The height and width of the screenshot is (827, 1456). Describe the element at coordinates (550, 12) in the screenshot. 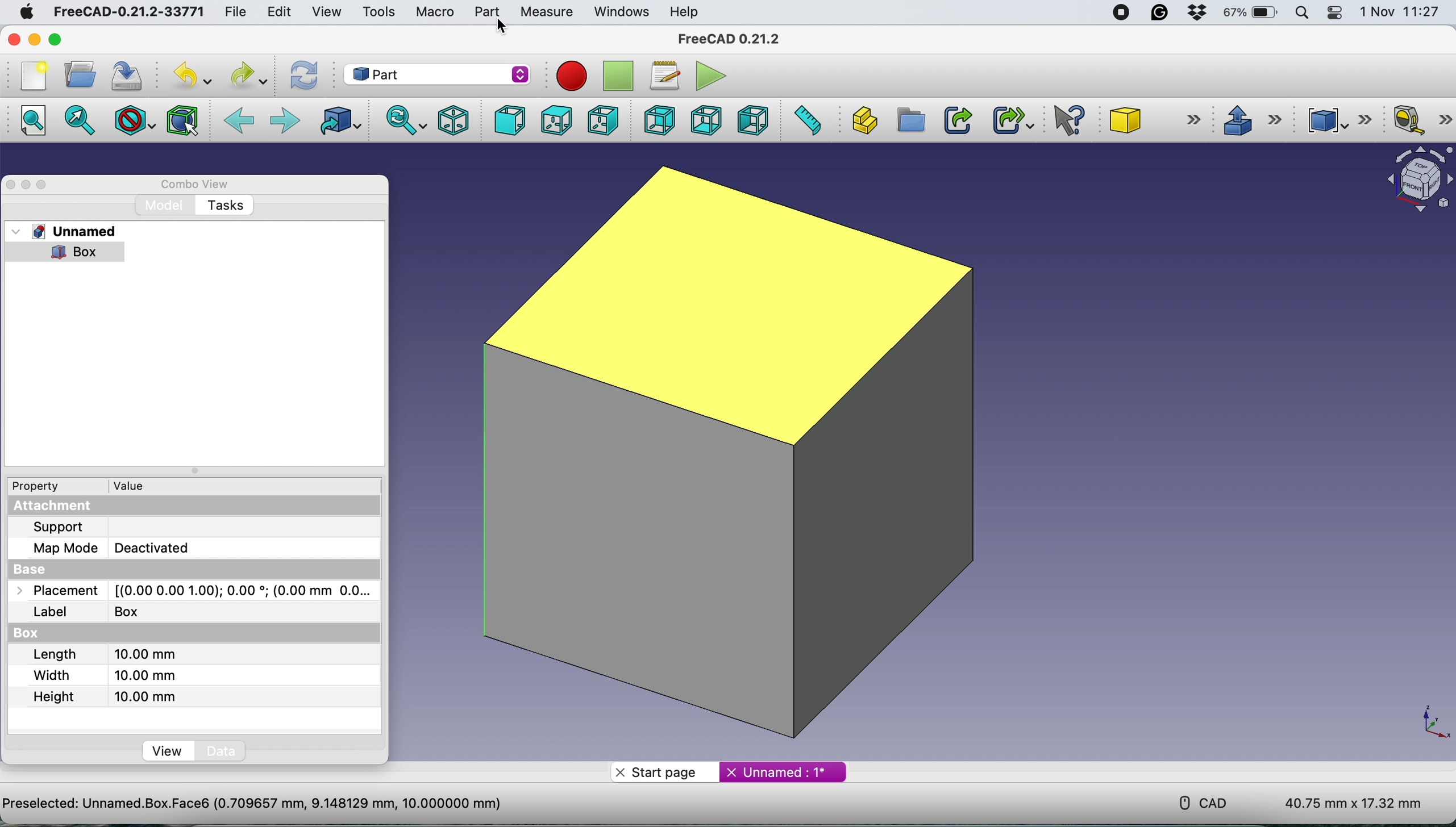

I see `measure` at that location.